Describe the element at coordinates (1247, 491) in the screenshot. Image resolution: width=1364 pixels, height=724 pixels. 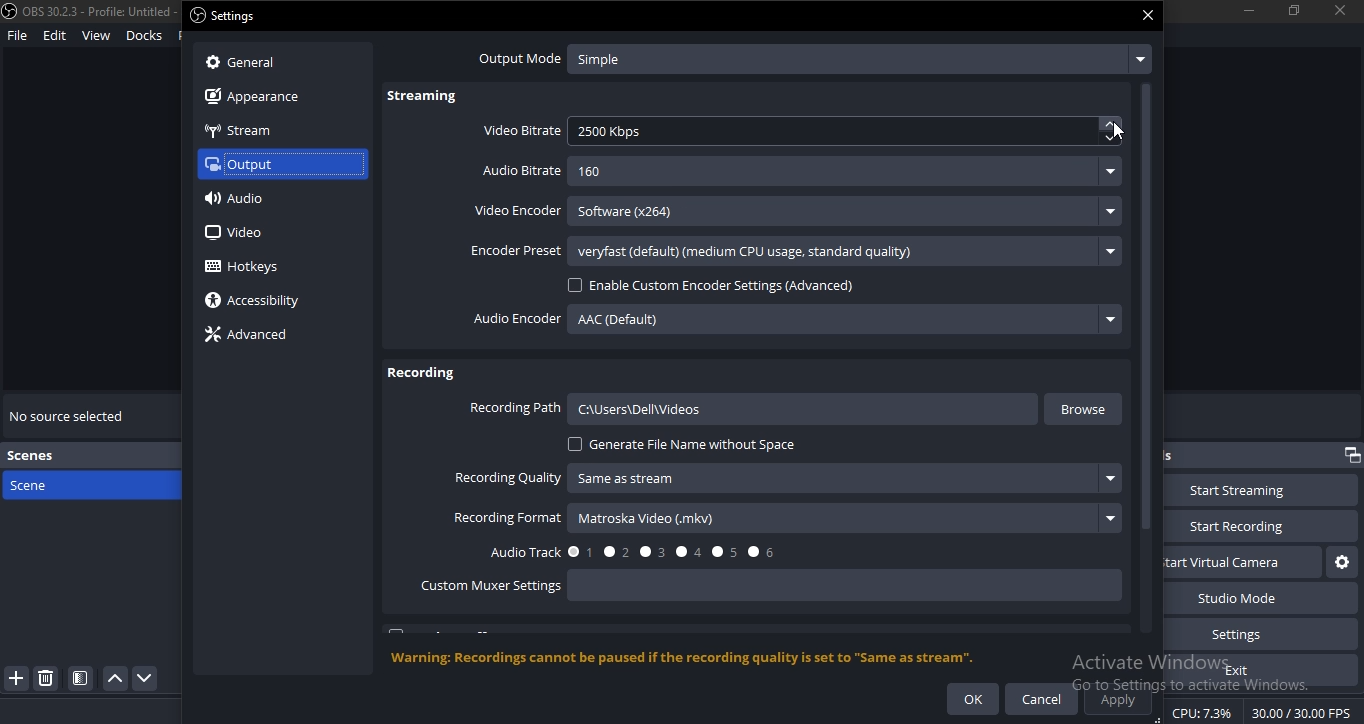
I see `start streaming` at that location.